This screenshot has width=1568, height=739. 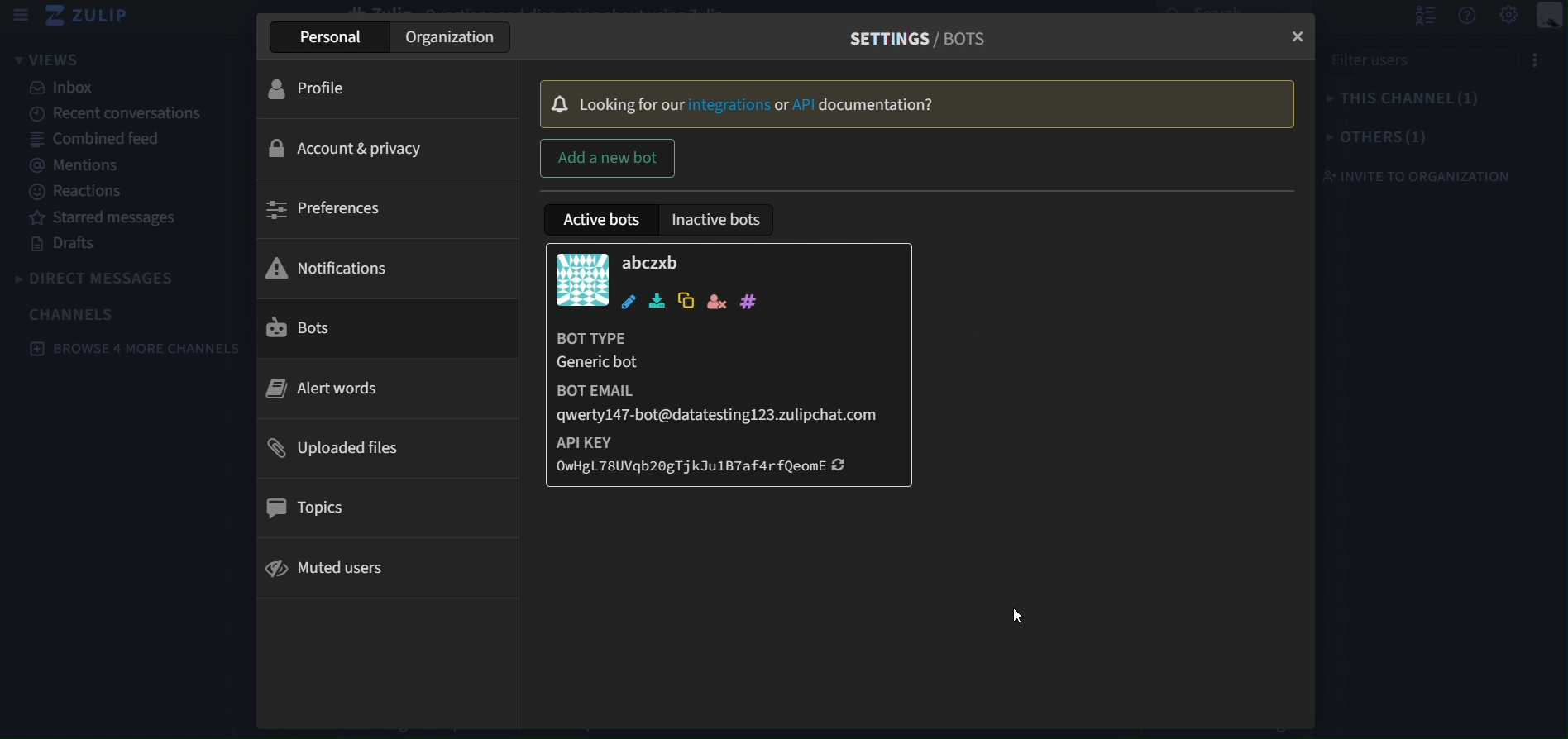 What do you see at coordinates (657, 393) in the screenshot?
I see `Bot Email` at bounding box center [657, 393].